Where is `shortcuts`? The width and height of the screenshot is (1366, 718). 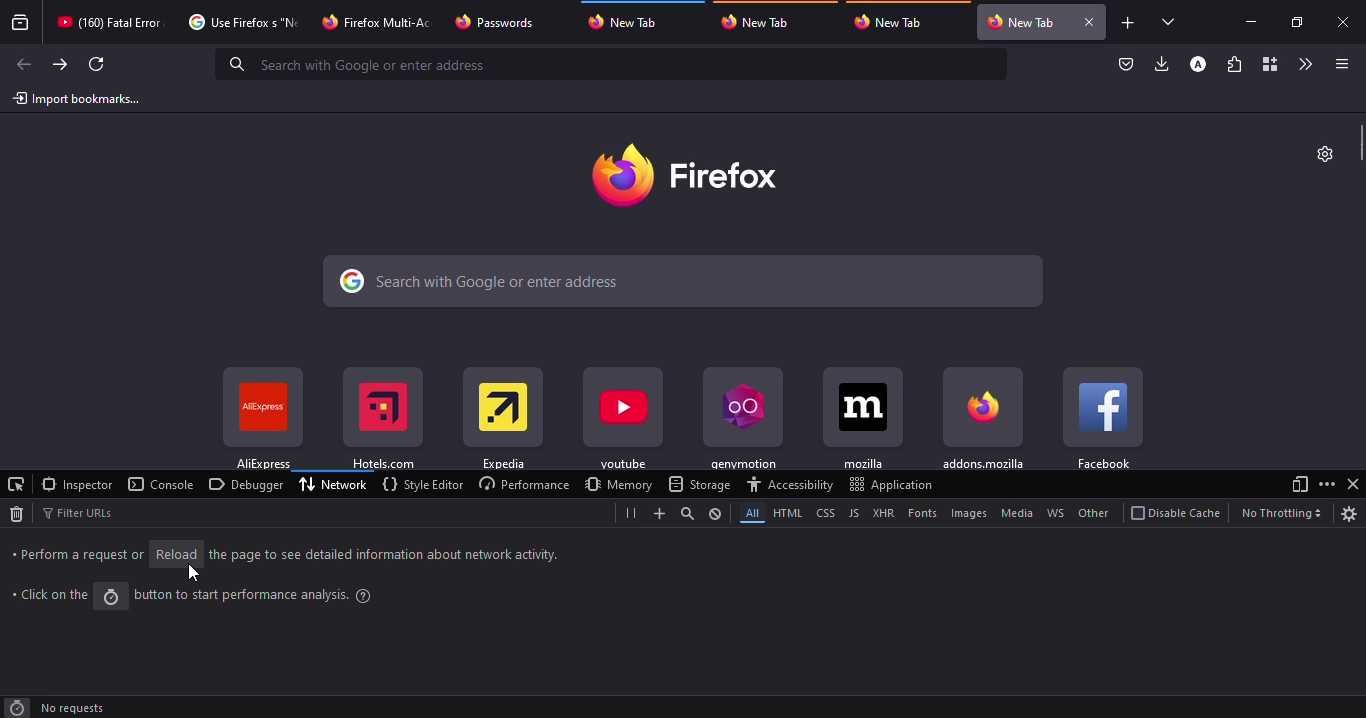
shortcuts is located at coordinates (1104, 417).